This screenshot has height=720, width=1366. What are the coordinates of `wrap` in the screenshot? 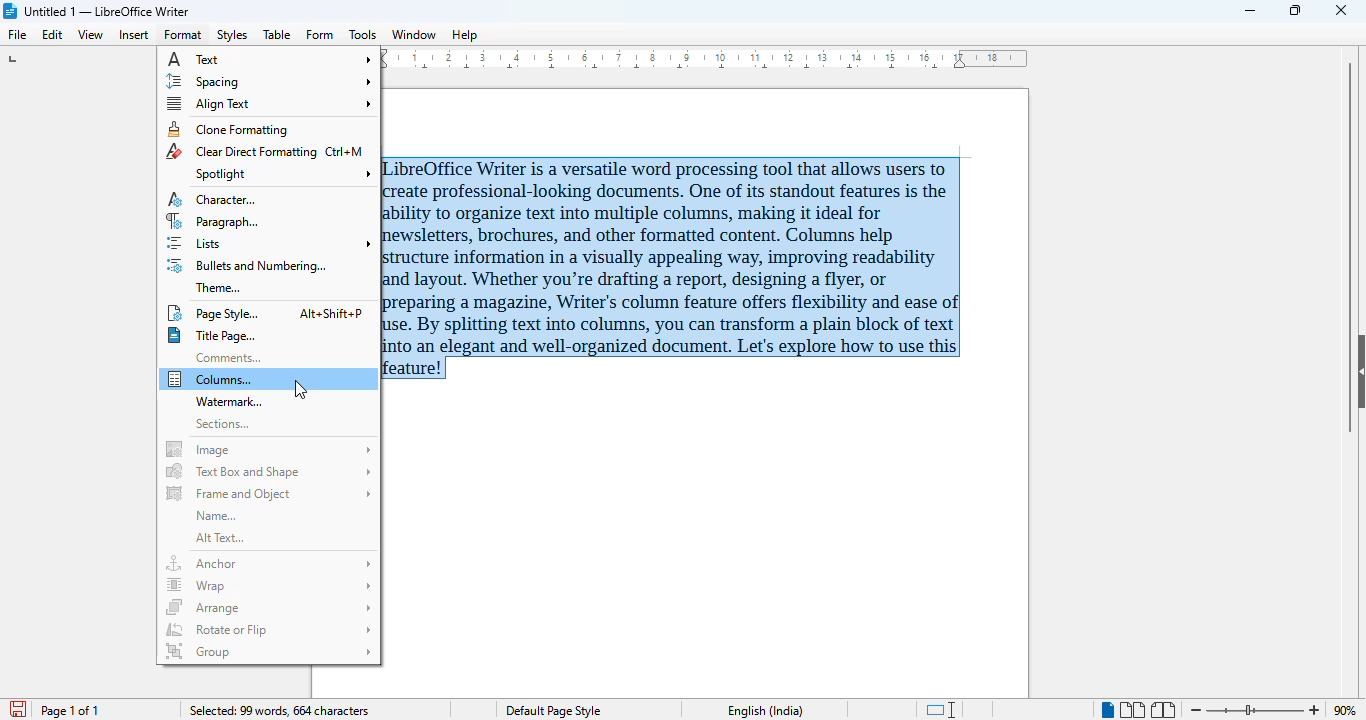 It's located at (270, 586).